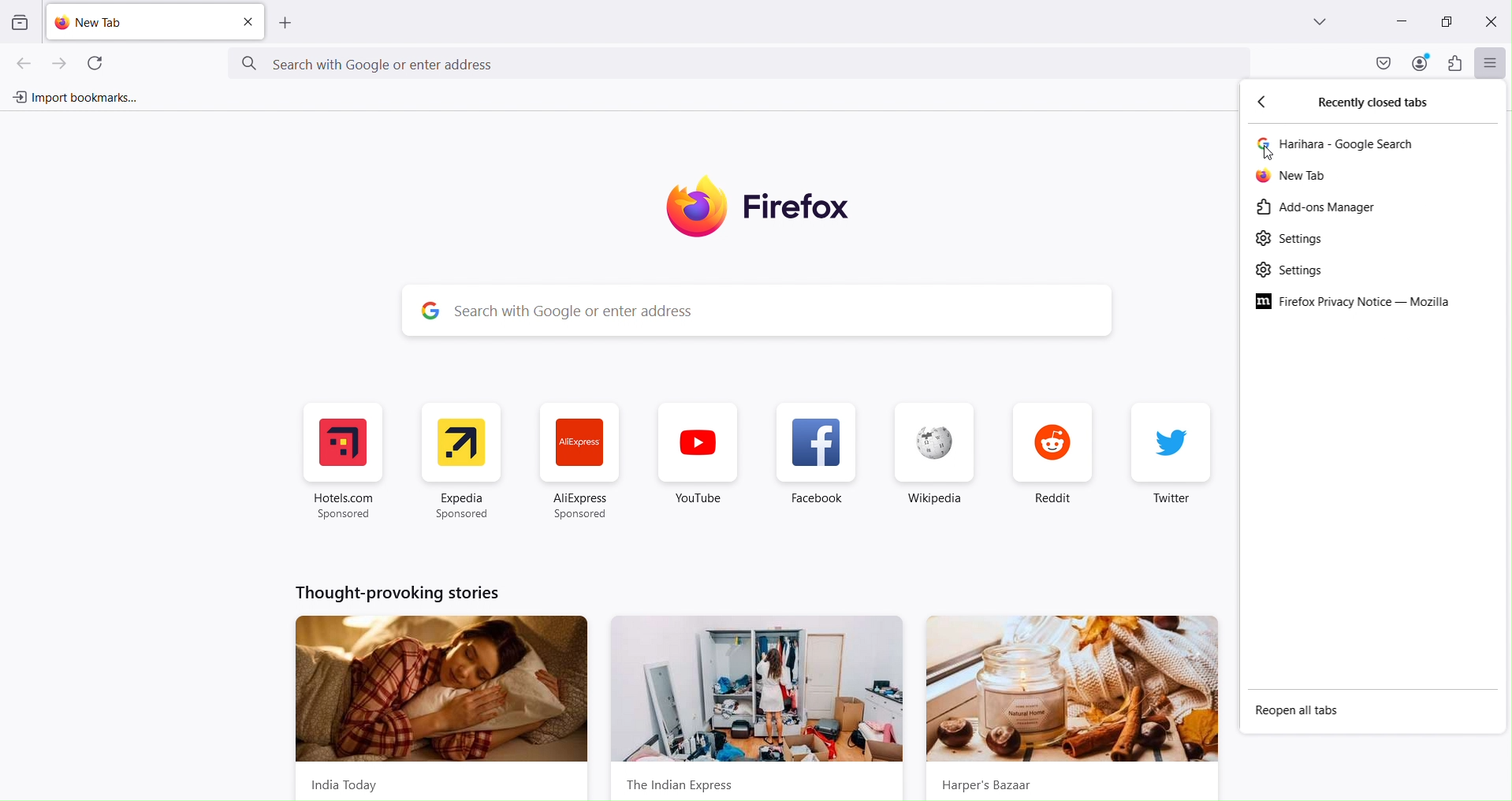 Image resolution: width=1512 pixels, height=801 pixels. Describe the element at coordinates (1421, 62) in the screenshot. I see `Account` at that location.